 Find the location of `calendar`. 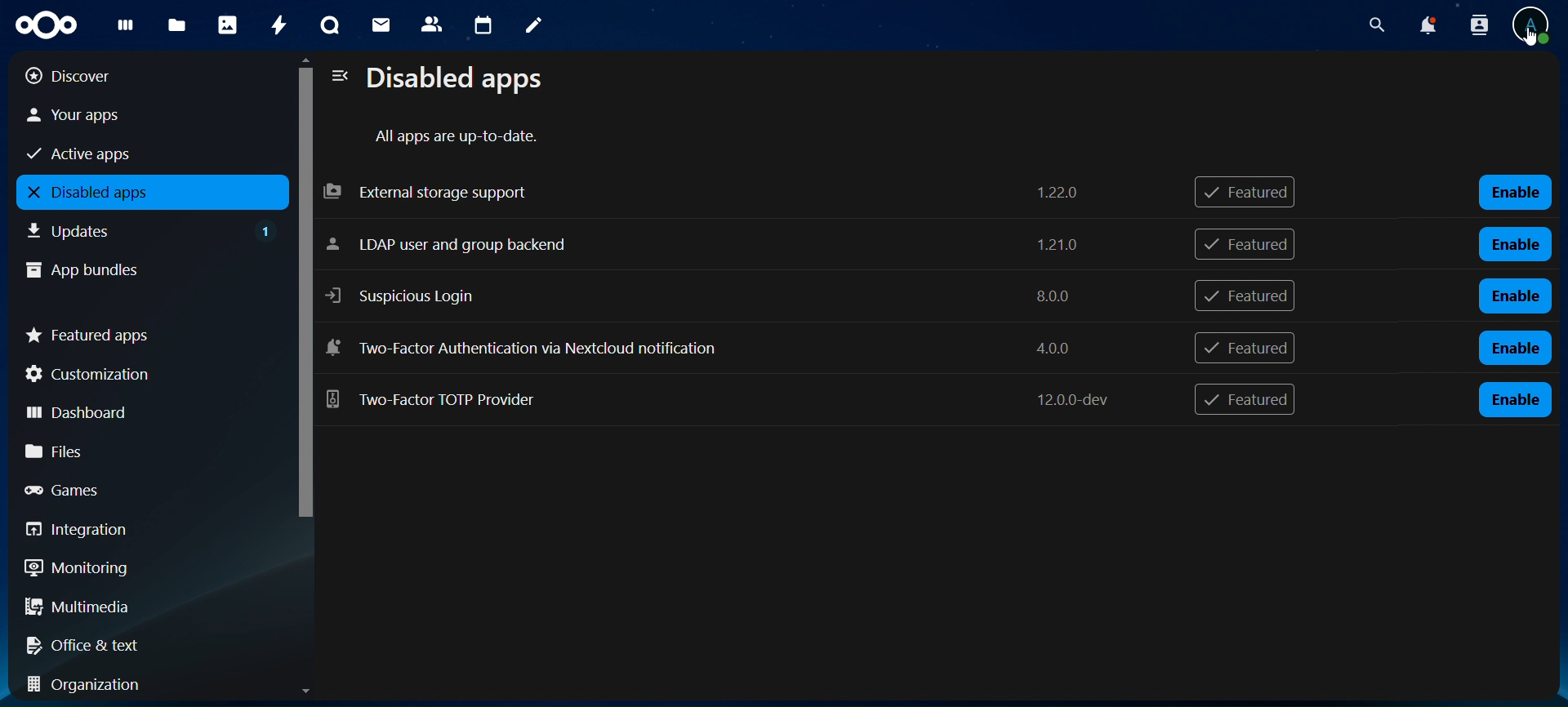

calendar is located at coordinates (484, 26).